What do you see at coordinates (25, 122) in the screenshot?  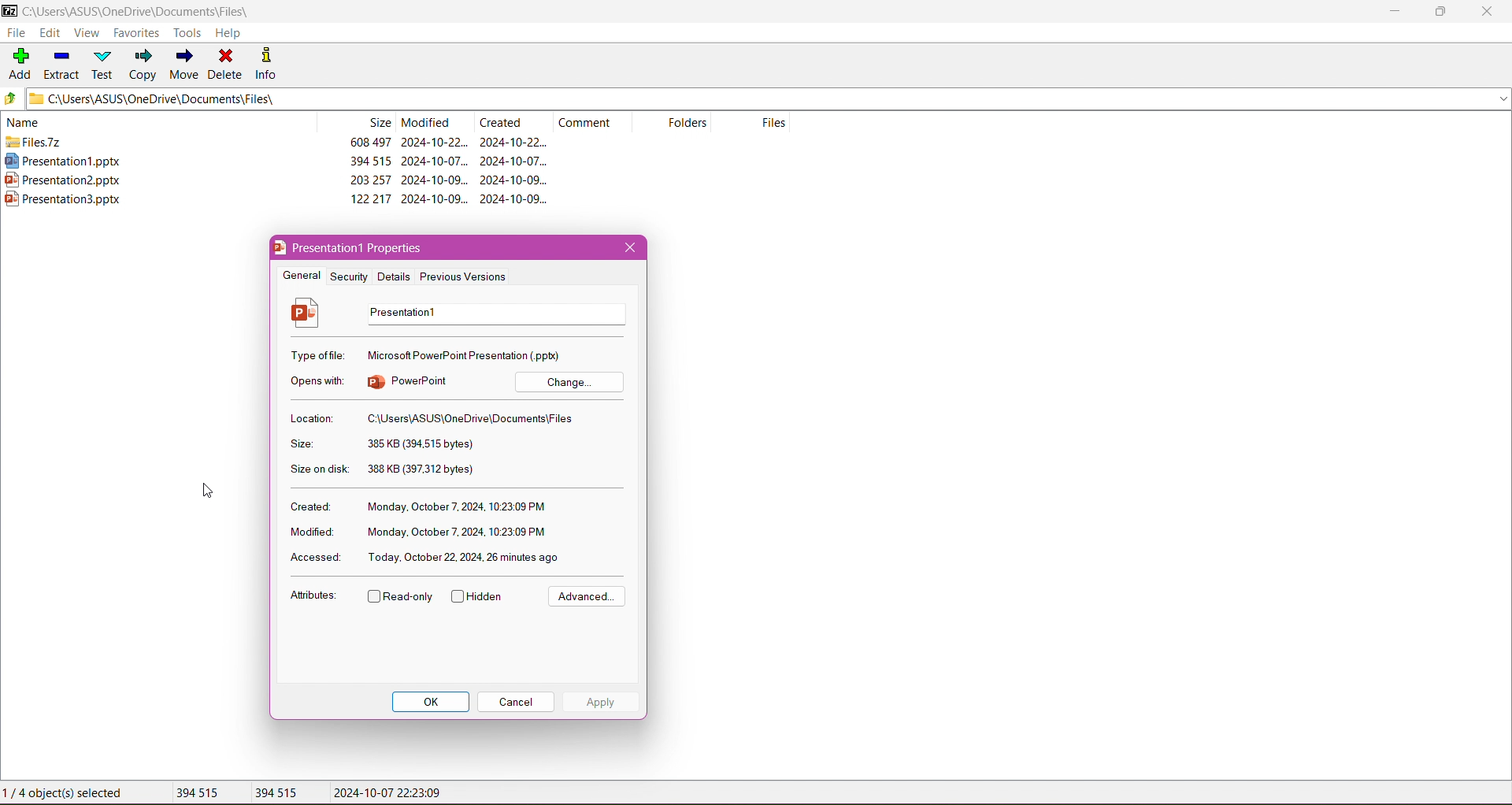 I see `name` at bounding box center [25, 122].